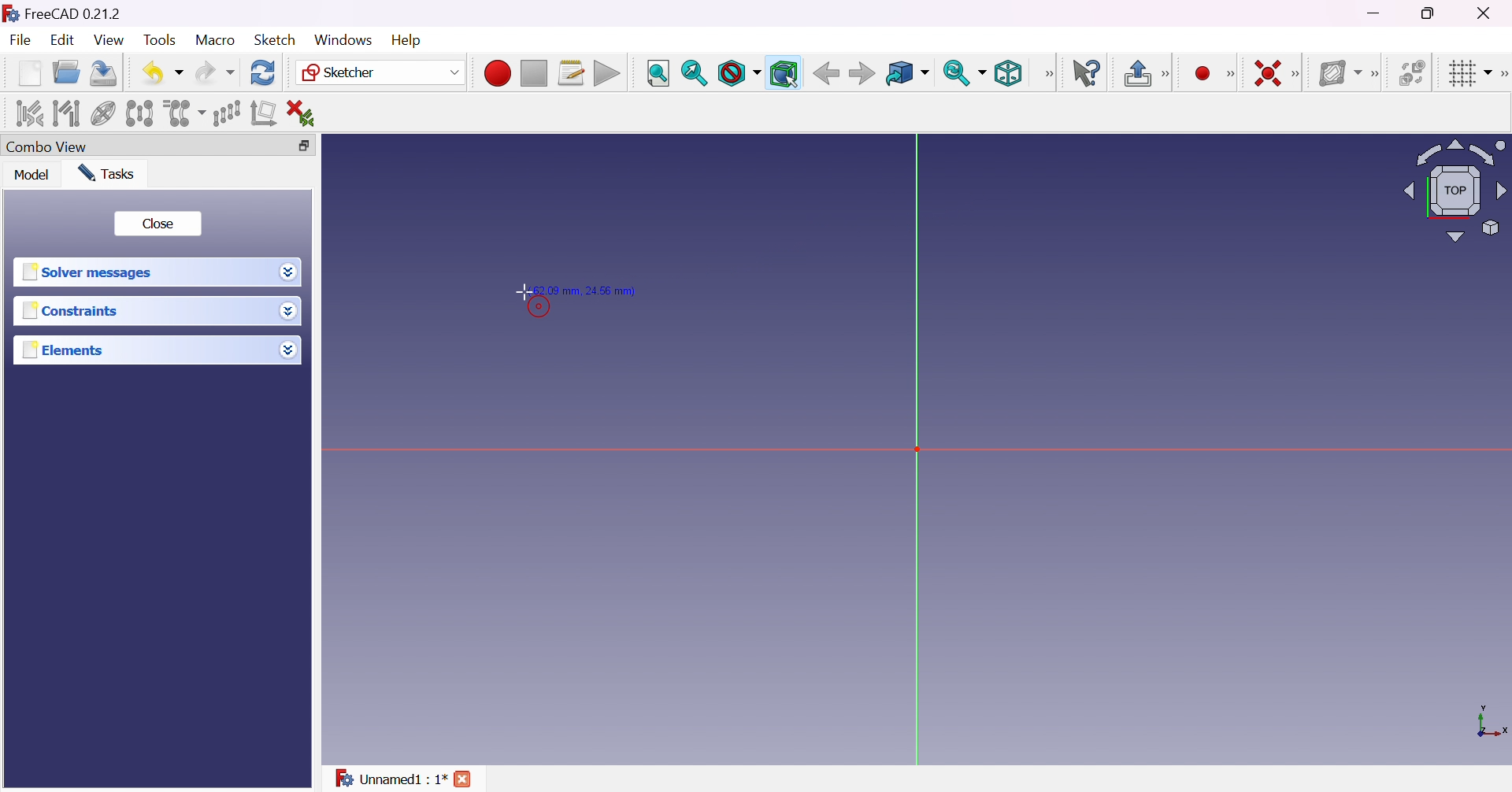 The image size is (1512, 792). Describe the element at coordinates (289, 272) in the screenshot. I see `Drop down` at that location.